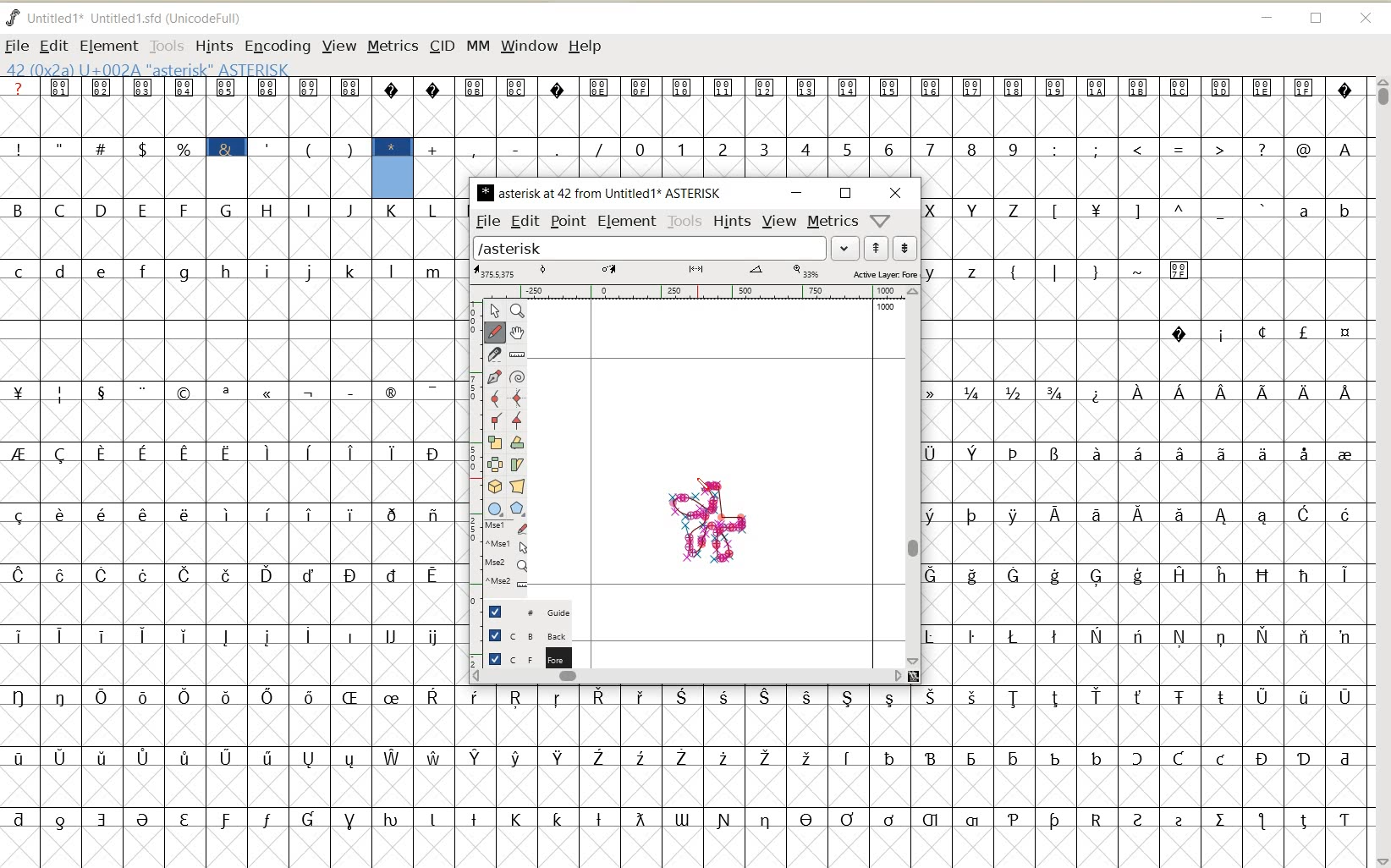 Image resolution: width=1391 pixels, height=868 pixels. Describe the element at coordinates (229, 532) in the screenshot. I see `GLYPHY CHARACTERS` at that location.